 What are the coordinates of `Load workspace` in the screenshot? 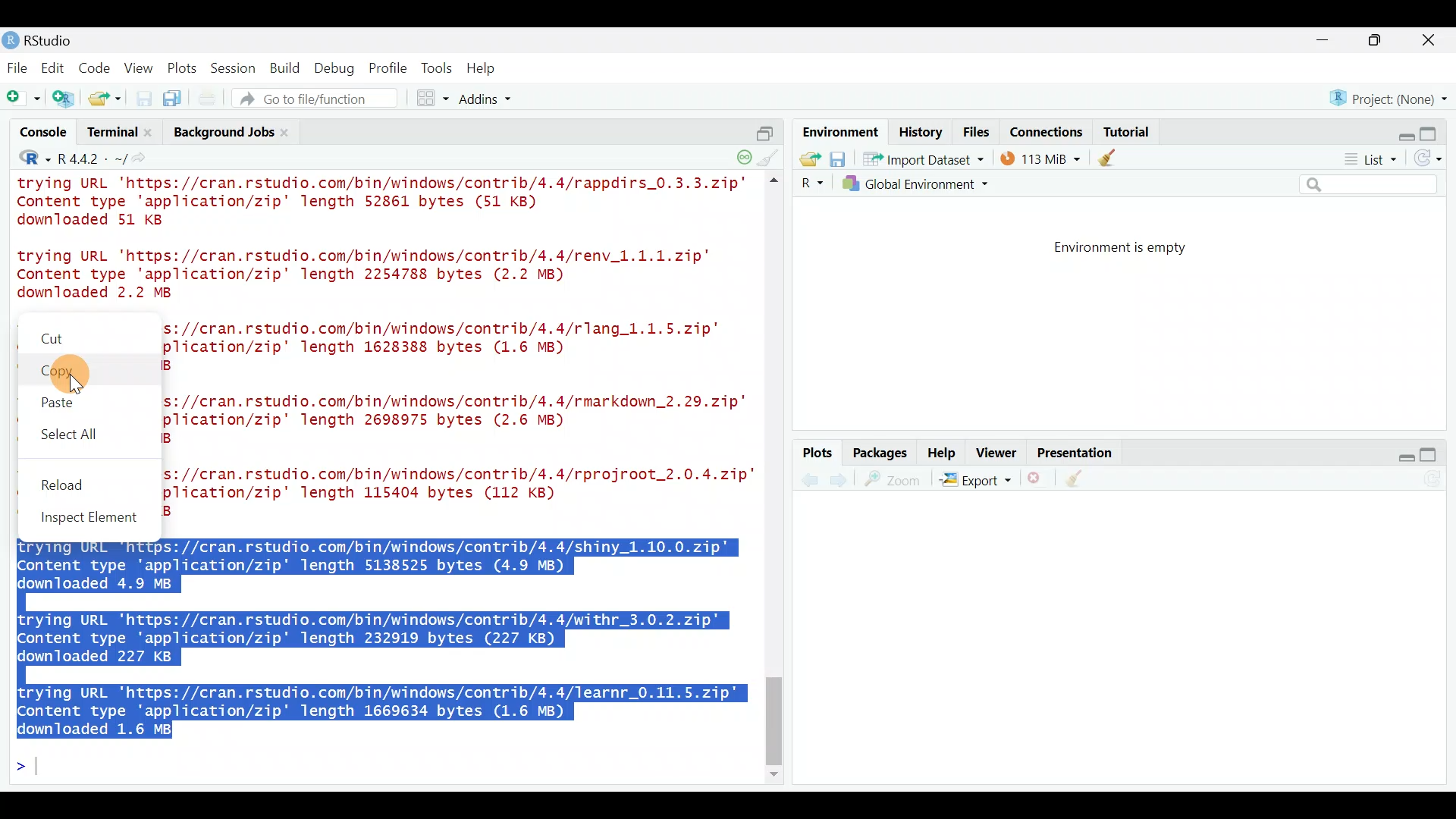 It's located at (806, 158).